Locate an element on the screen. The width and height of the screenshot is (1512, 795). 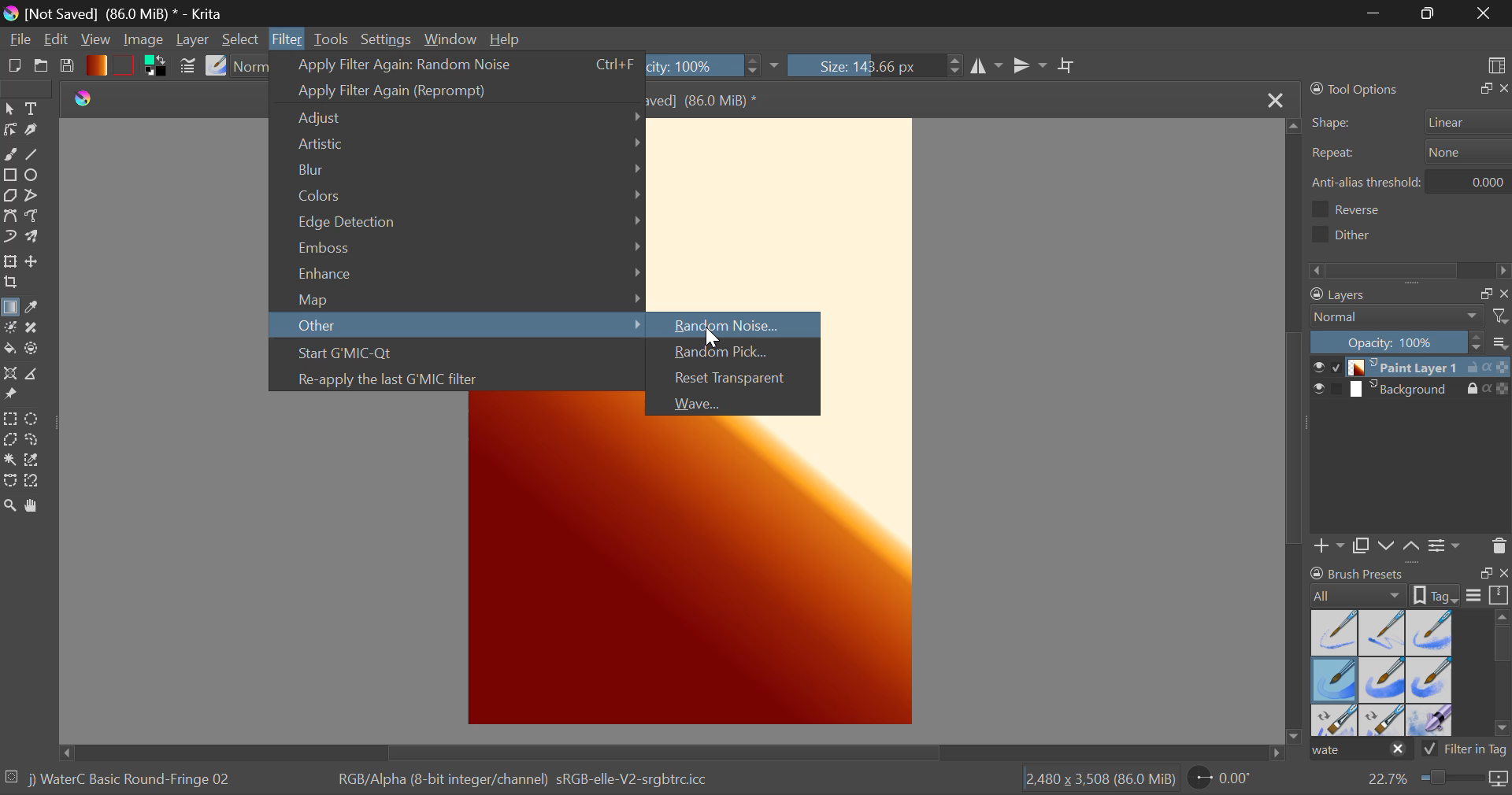
Polyline is located at coordinates (34, 196).